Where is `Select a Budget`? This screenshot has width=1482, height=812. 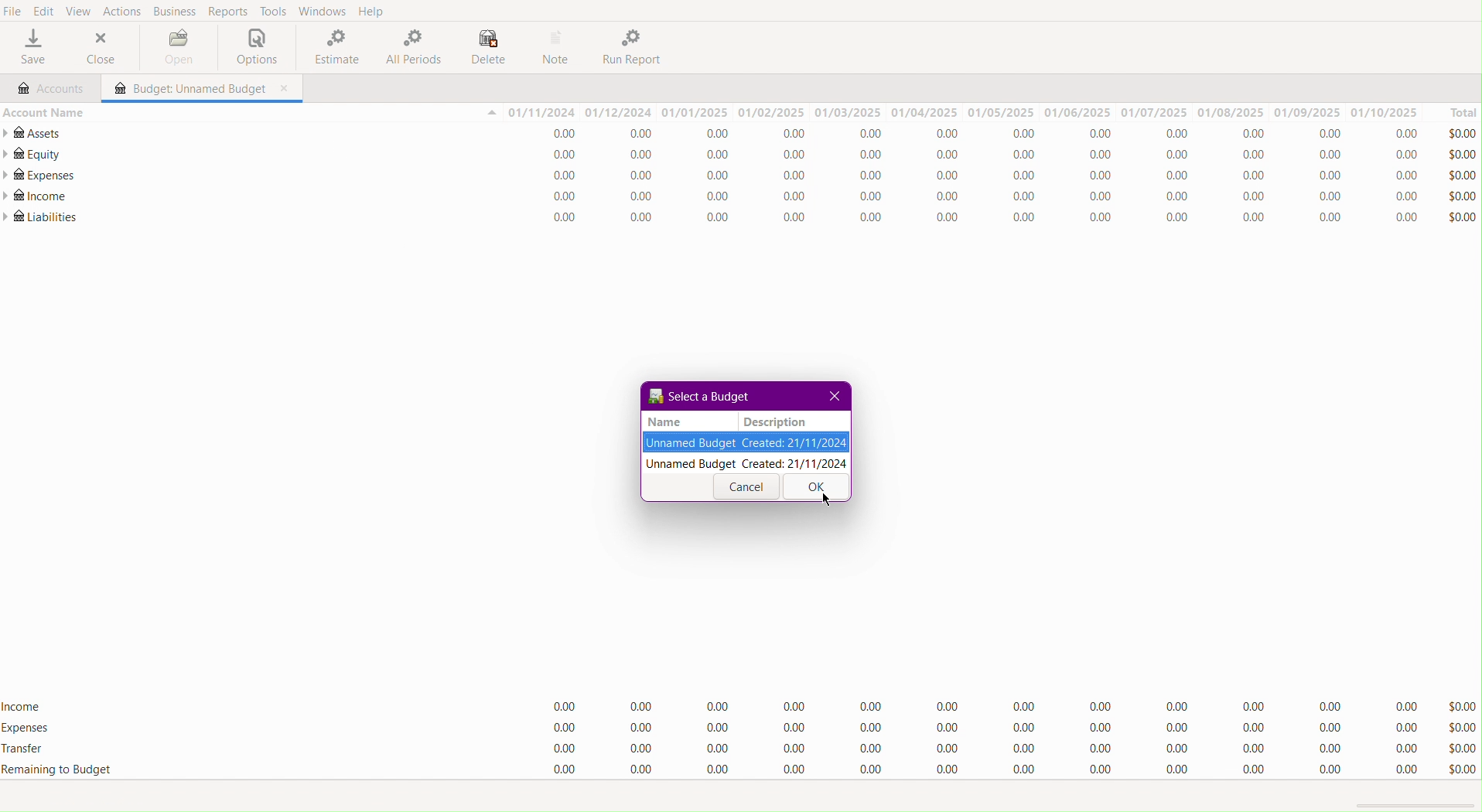 Select a Budget is located at coordinates (698, 396).